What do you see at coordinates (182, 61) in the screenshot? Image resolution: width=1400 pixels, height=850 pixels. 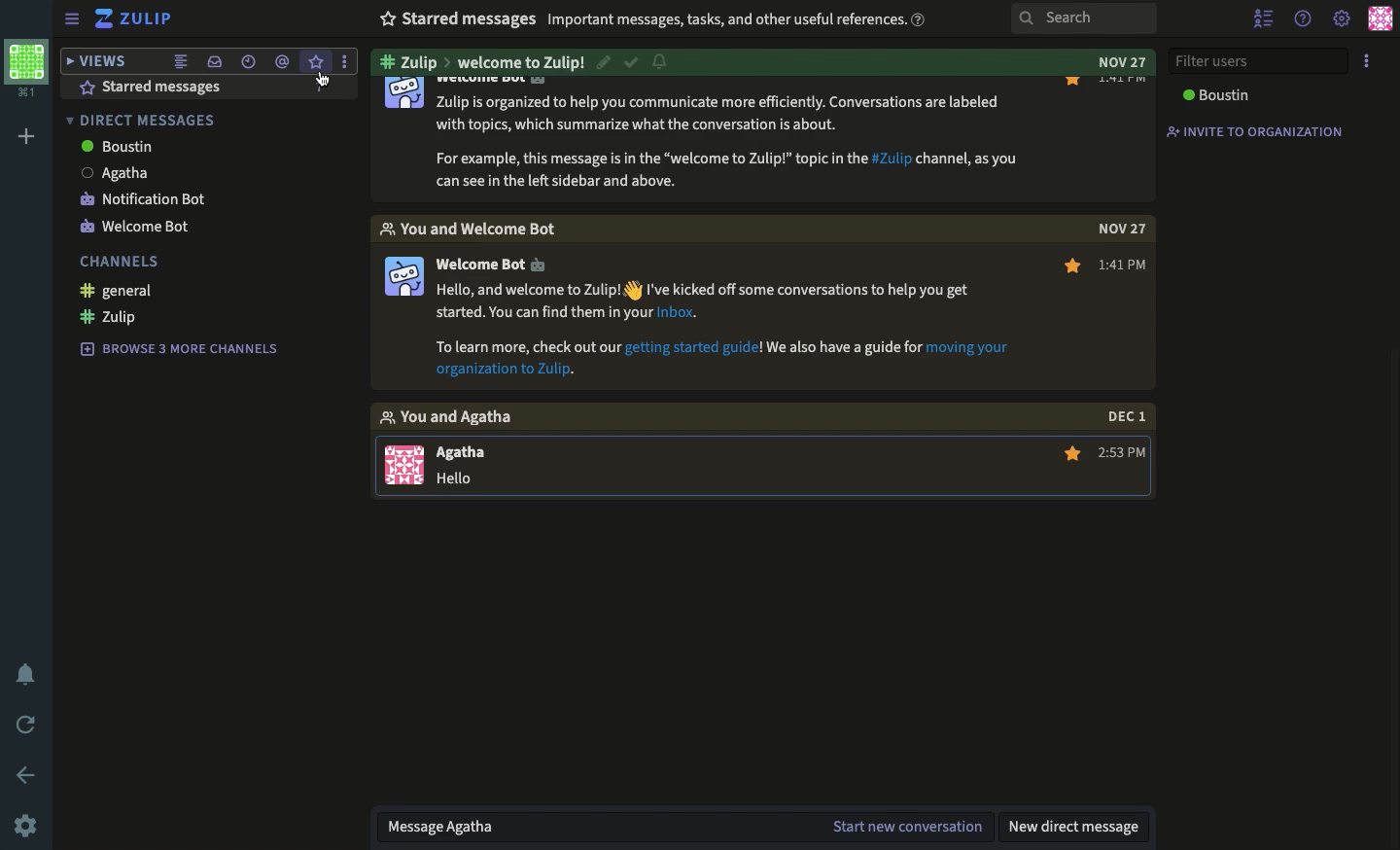 I see `combined feed` at bounding box center [182, 61].